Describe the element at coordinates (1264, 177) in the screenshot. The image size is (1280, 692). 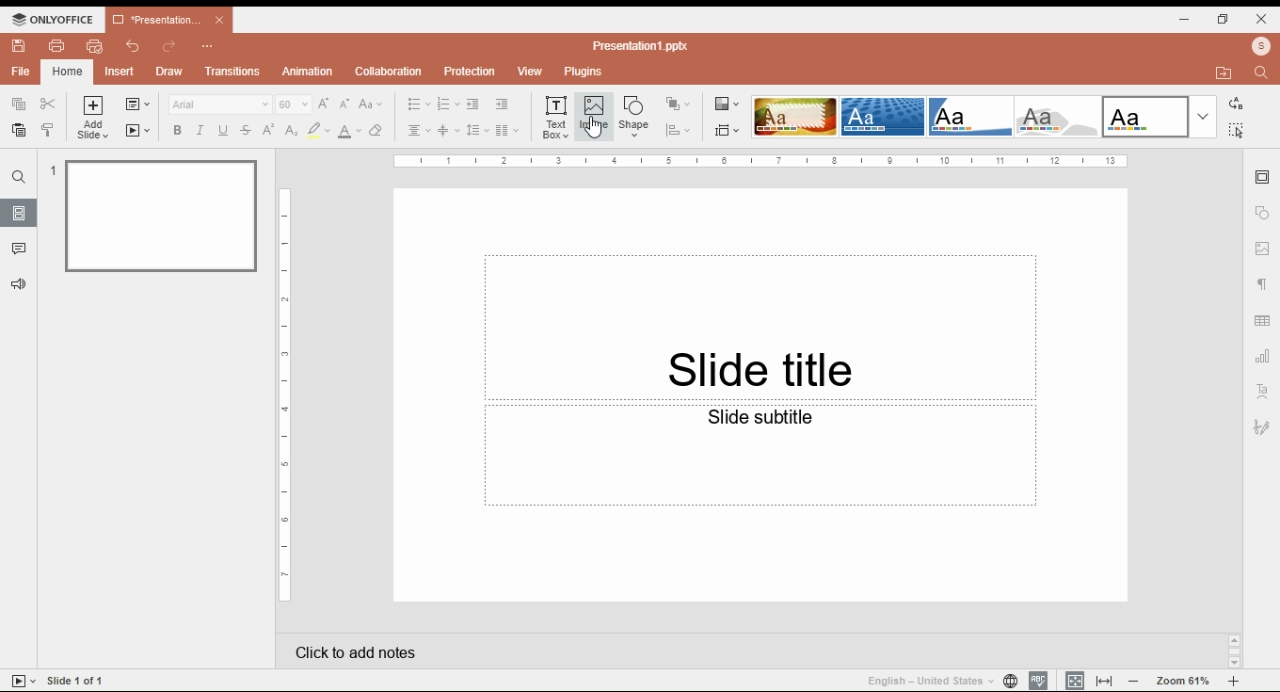
I see `slide settings` at that location.